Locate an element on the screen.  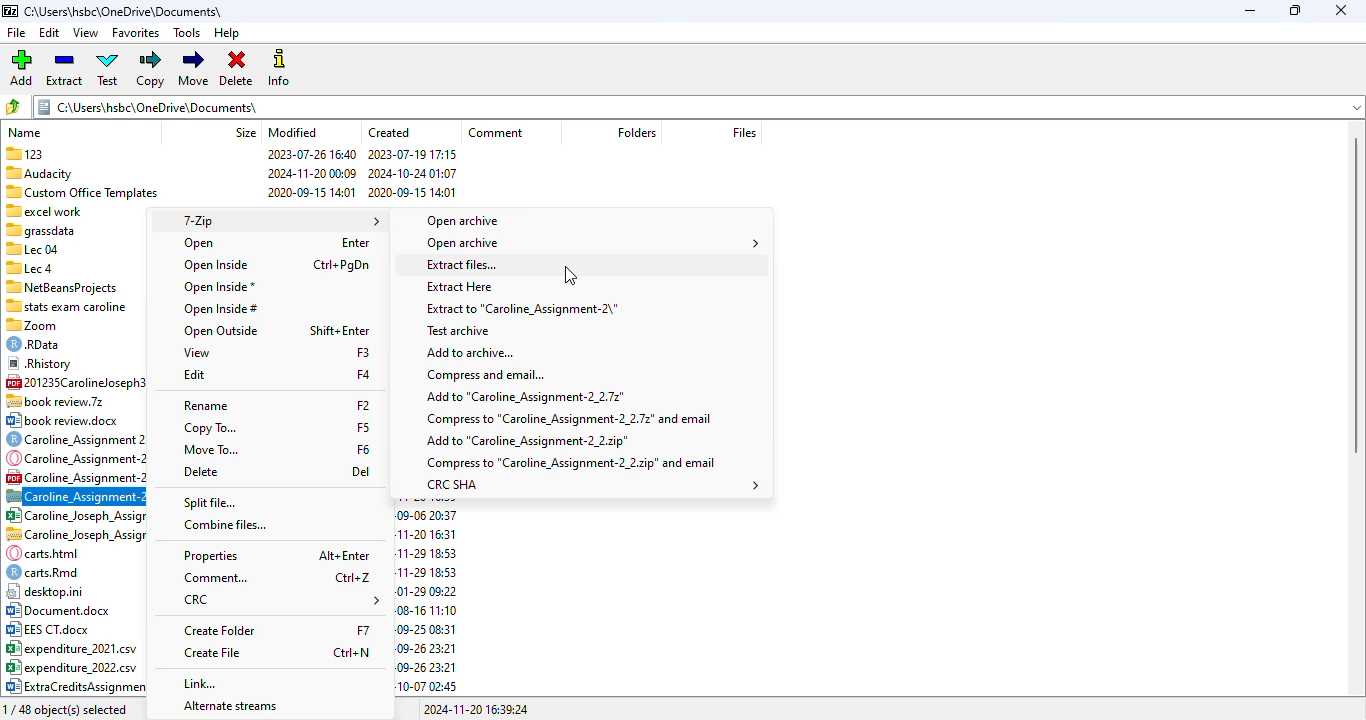
move to is located at coordinates (212, 450).